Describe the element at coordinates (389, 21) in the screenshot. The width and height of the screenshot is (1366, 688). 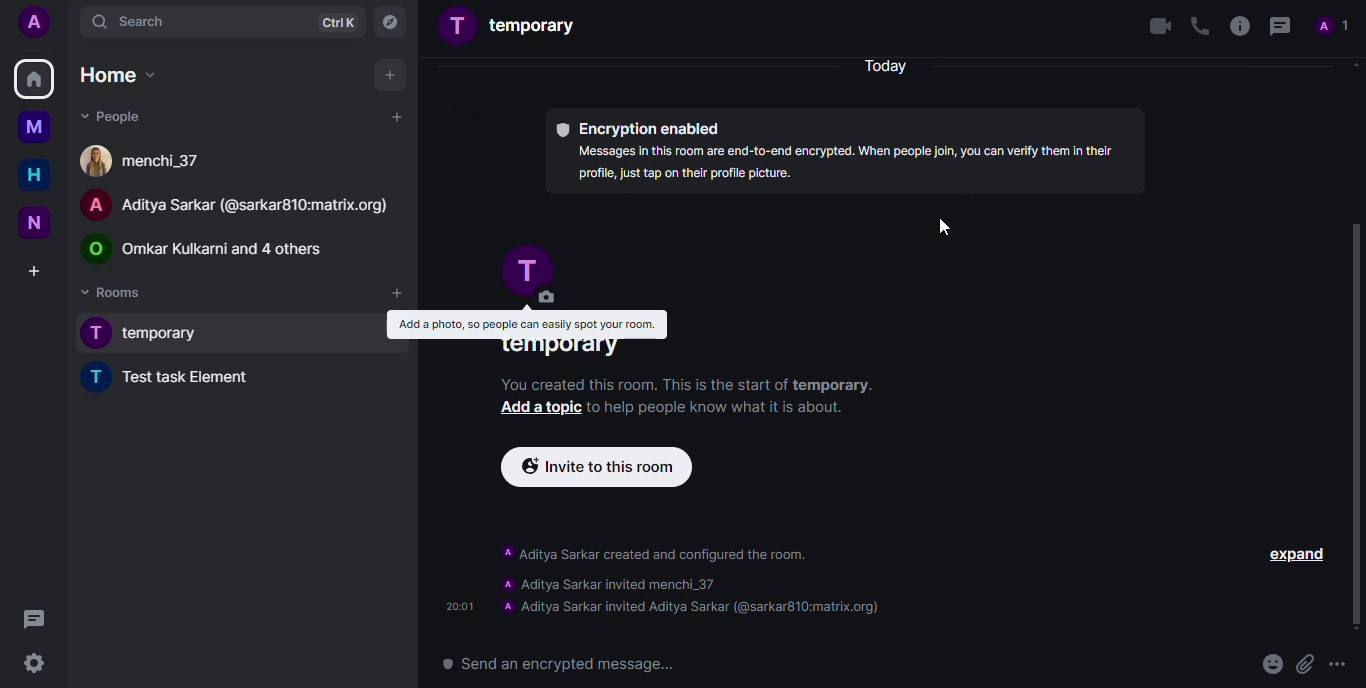
I see `navigator` at that location.